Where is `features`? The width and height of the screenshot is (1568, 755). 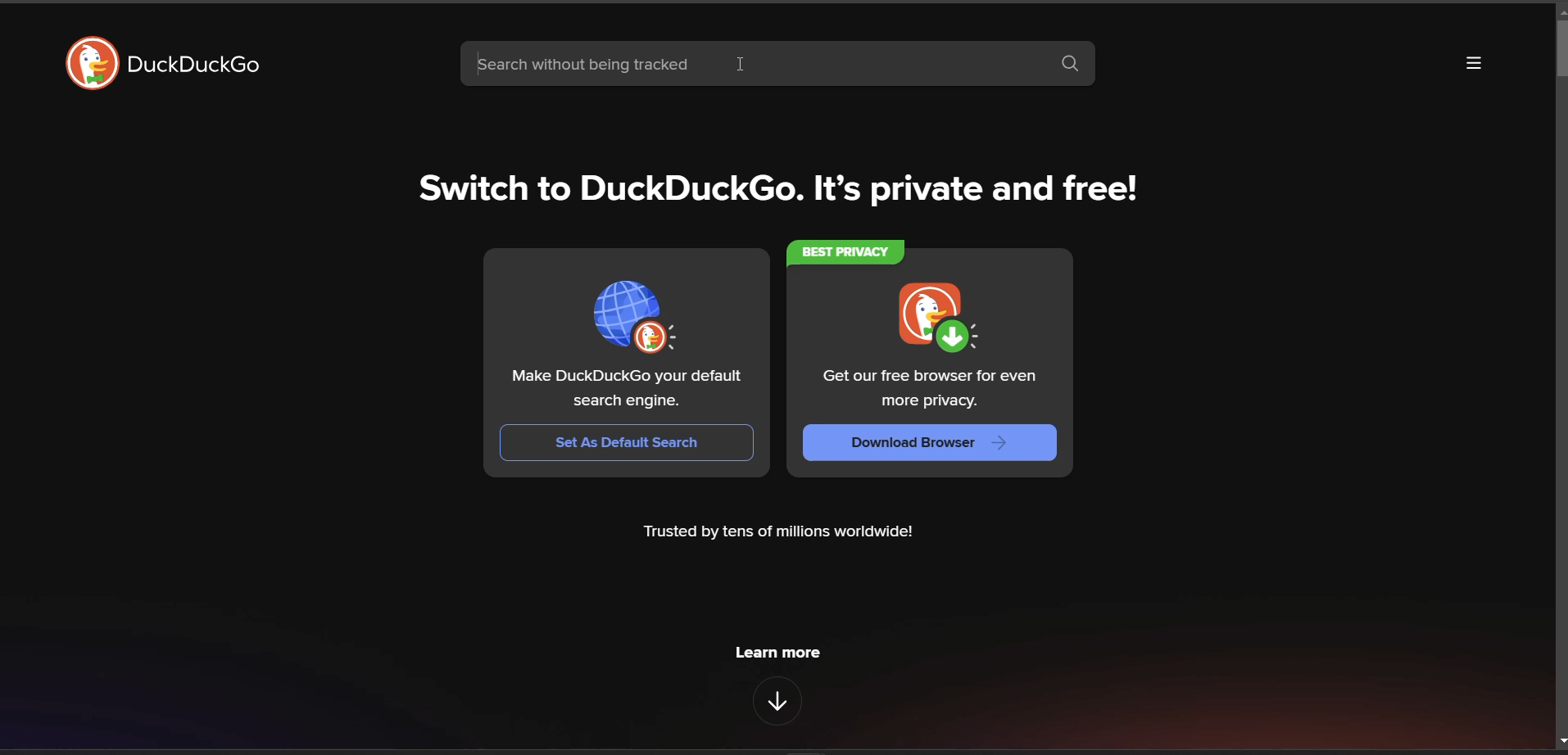 features is located at coordinates (779, 701).